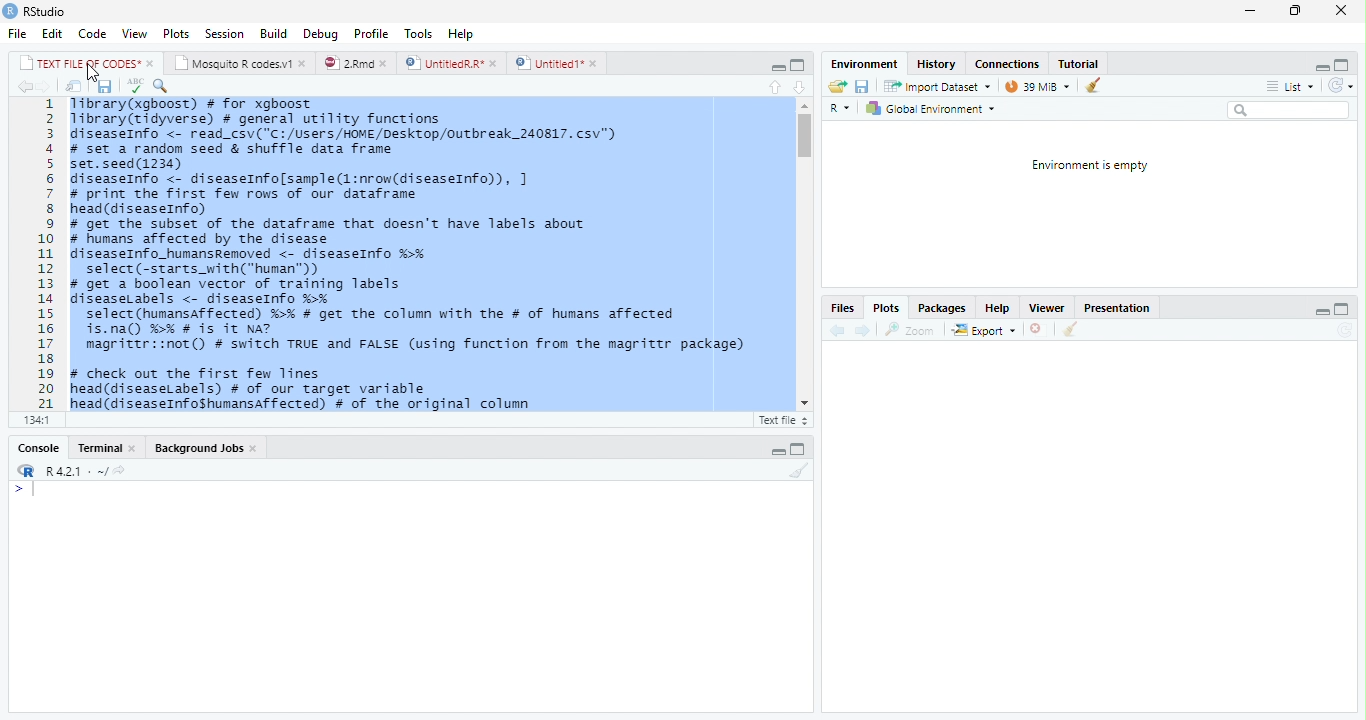 The height and width of the screenshot is (720, 1366). I want to click on Build, so click(274, 34).